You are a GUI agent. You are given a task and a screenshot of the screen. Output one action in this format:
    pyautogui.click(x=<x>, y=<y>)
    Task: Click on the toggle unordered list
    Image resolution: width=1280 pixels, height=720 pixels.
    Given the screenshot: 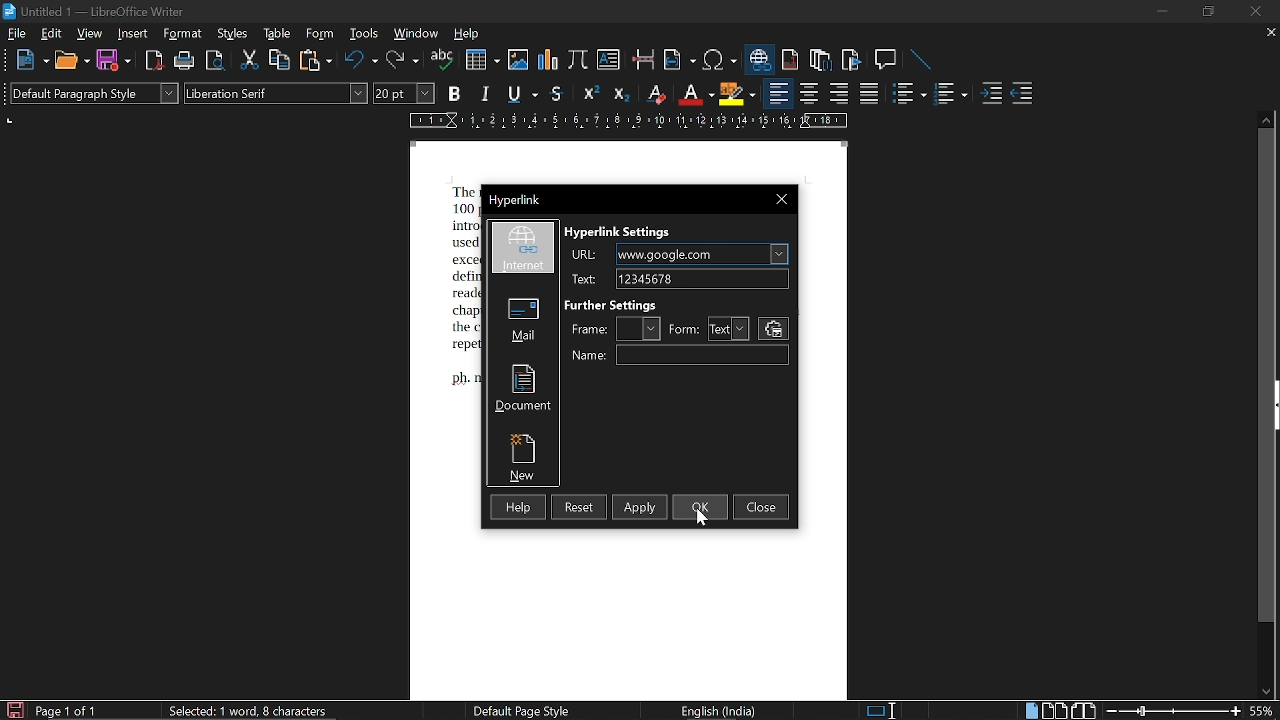 What is the action you would take?
    pyautogui.click(x=909, y=96)
    